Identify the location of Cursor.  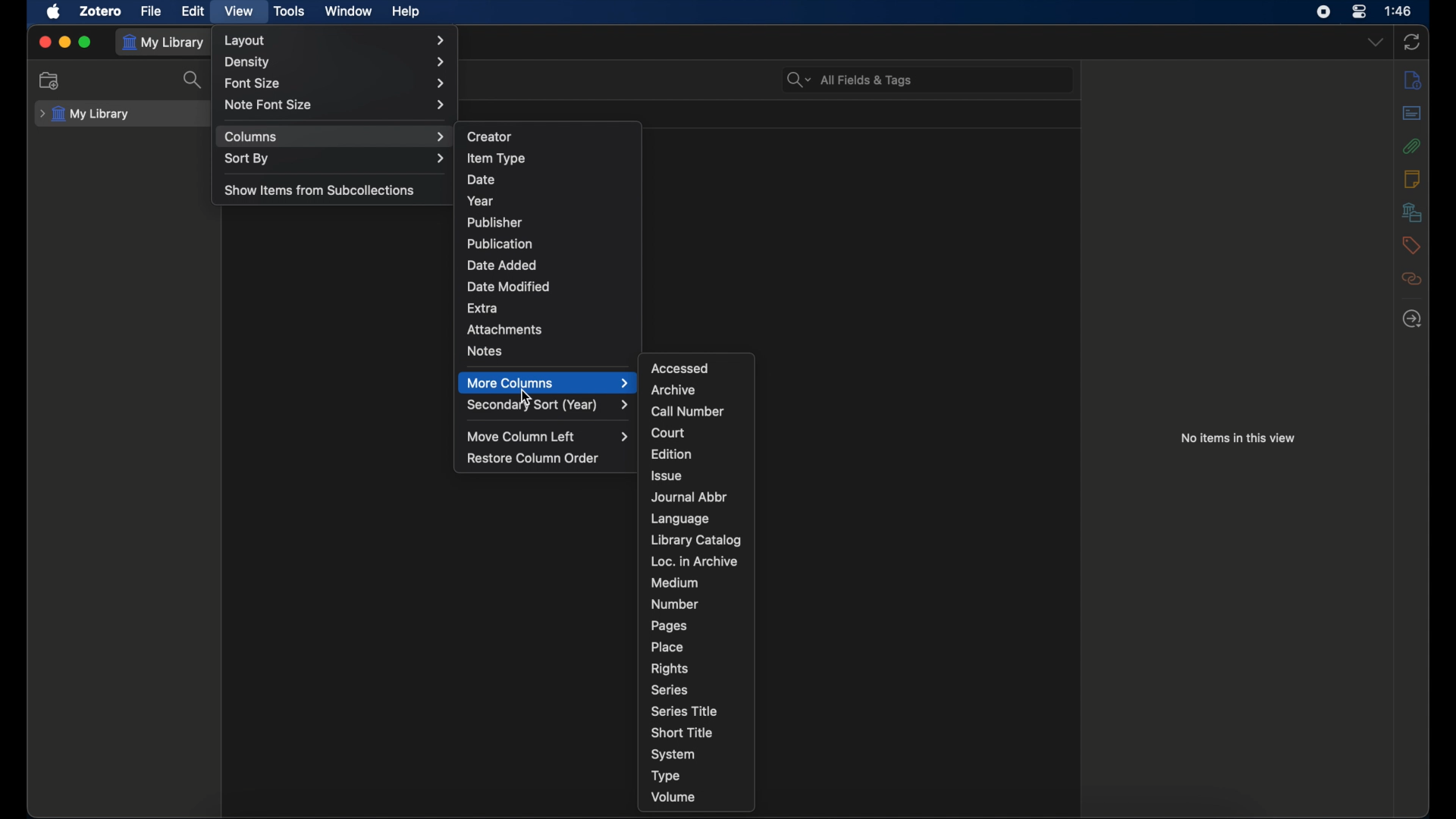
(530, 395).